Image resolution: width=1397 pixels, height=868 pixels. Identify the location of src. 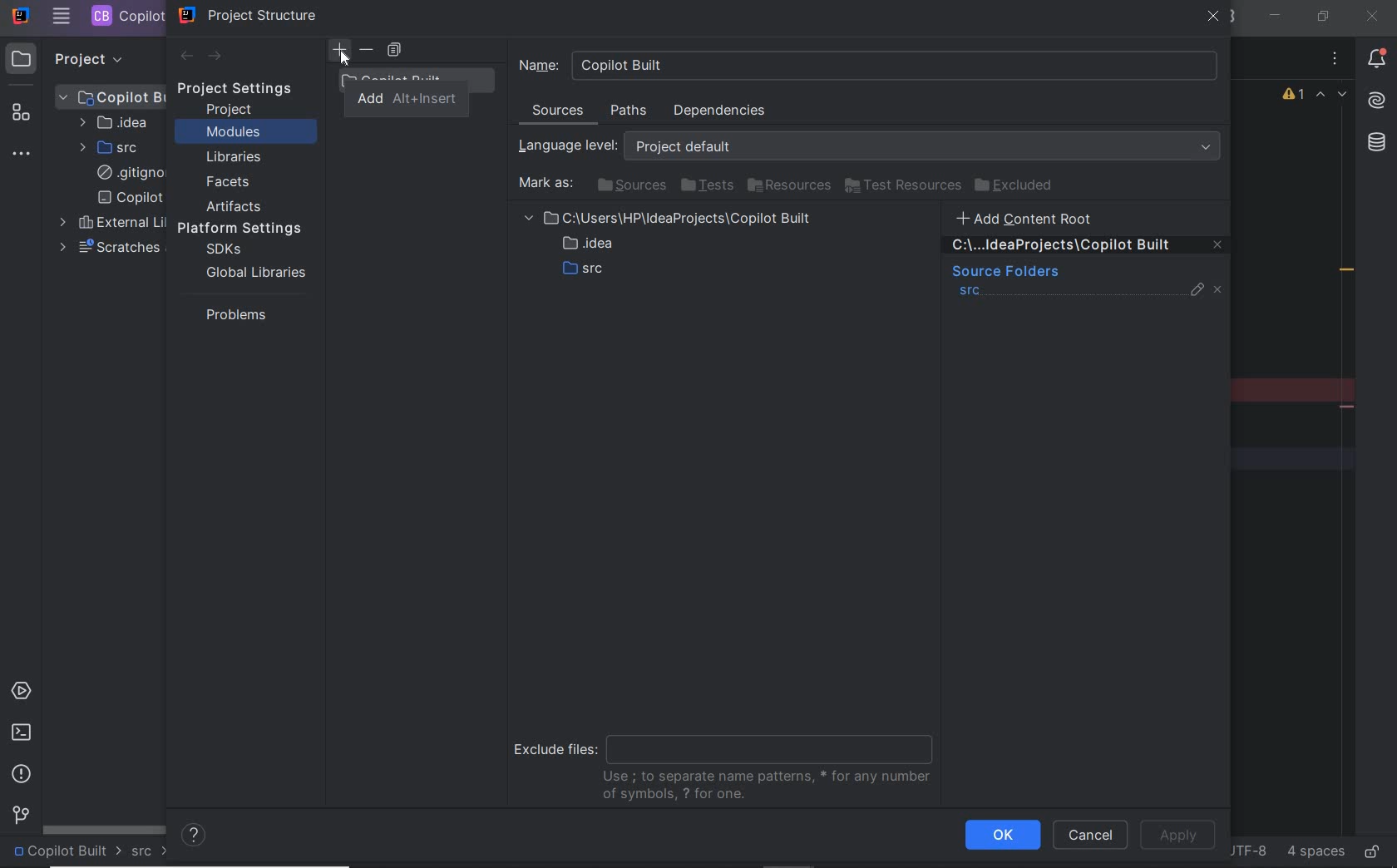
(151, 852).